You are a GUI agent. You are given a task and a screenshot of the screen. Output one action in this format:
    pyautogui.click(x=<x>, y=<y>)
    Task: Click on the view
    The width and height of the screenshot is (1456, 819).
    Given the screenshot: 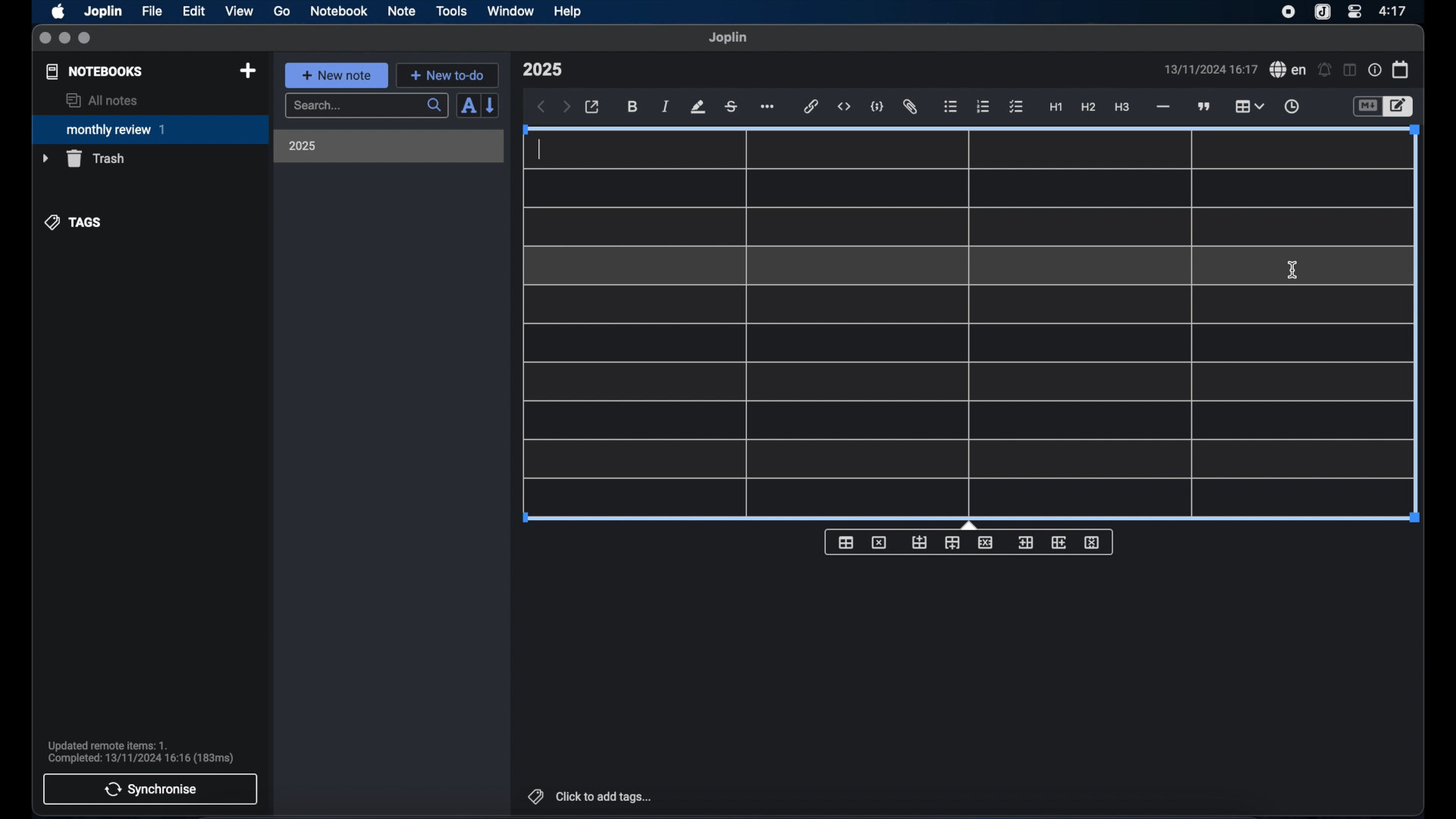 What is the action you would take?
    pyautogui.click(x=239, y=11)
    